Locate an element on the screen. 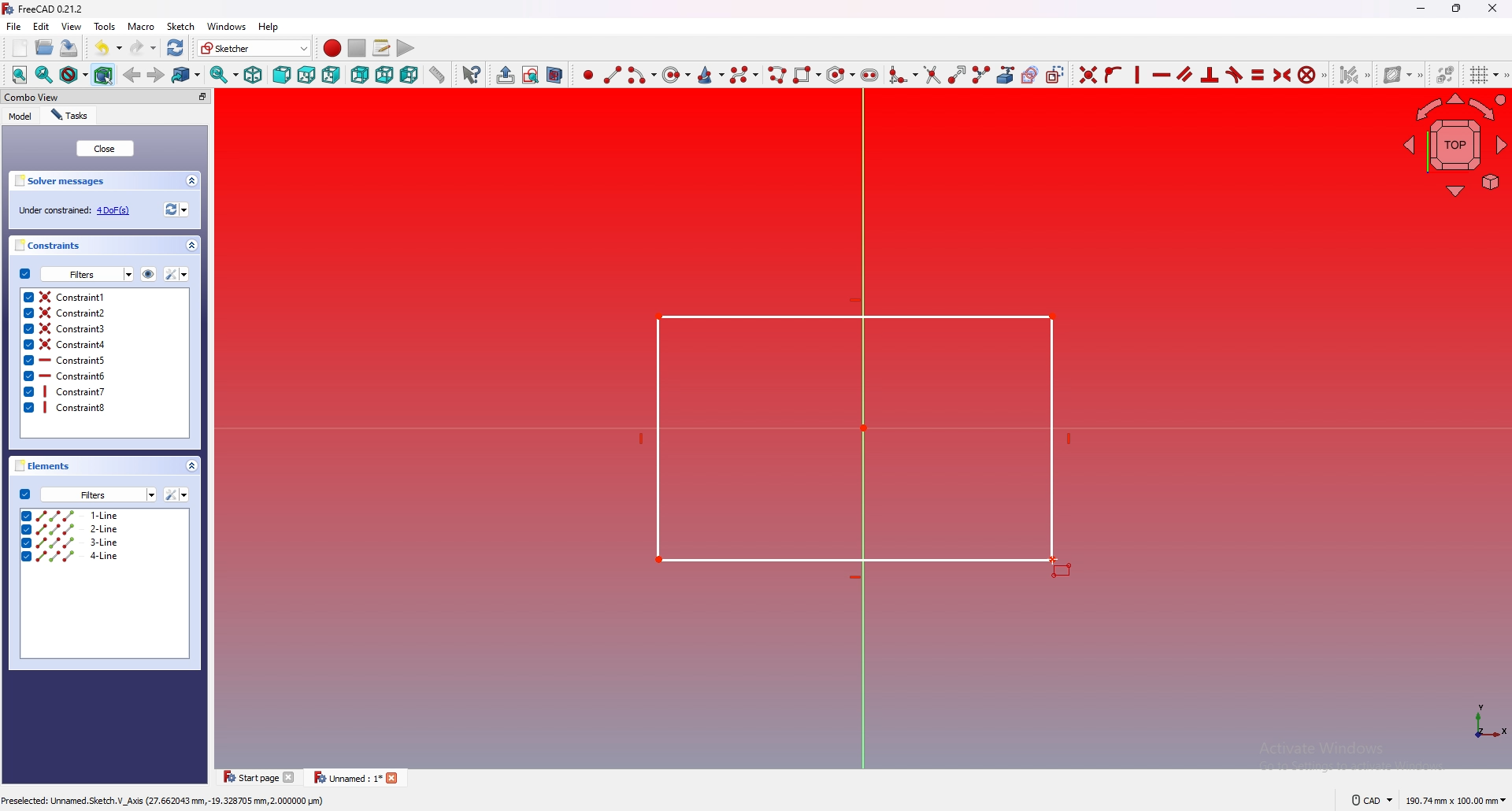 Image resolution: width=1512 pixels, height=811 pixels. collapse is located at coordinates (191, 245).